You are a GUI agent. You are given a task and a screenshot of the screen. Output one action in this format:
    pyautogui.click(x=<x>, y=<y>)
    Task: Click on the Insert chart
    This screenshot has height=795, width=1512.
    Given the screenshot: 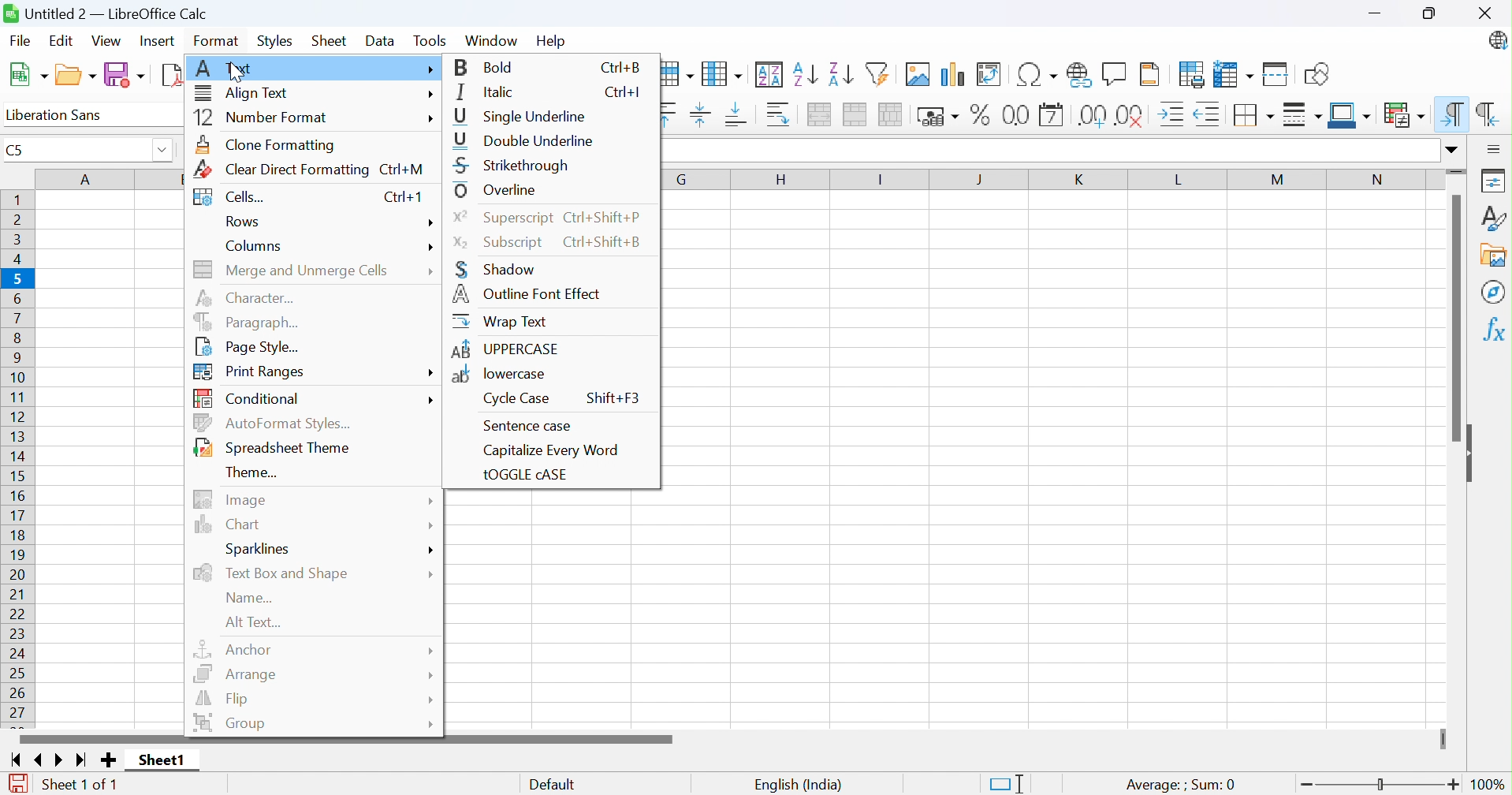 What is the action you would take?
    pyautogui.click(x=954, y=74)
    